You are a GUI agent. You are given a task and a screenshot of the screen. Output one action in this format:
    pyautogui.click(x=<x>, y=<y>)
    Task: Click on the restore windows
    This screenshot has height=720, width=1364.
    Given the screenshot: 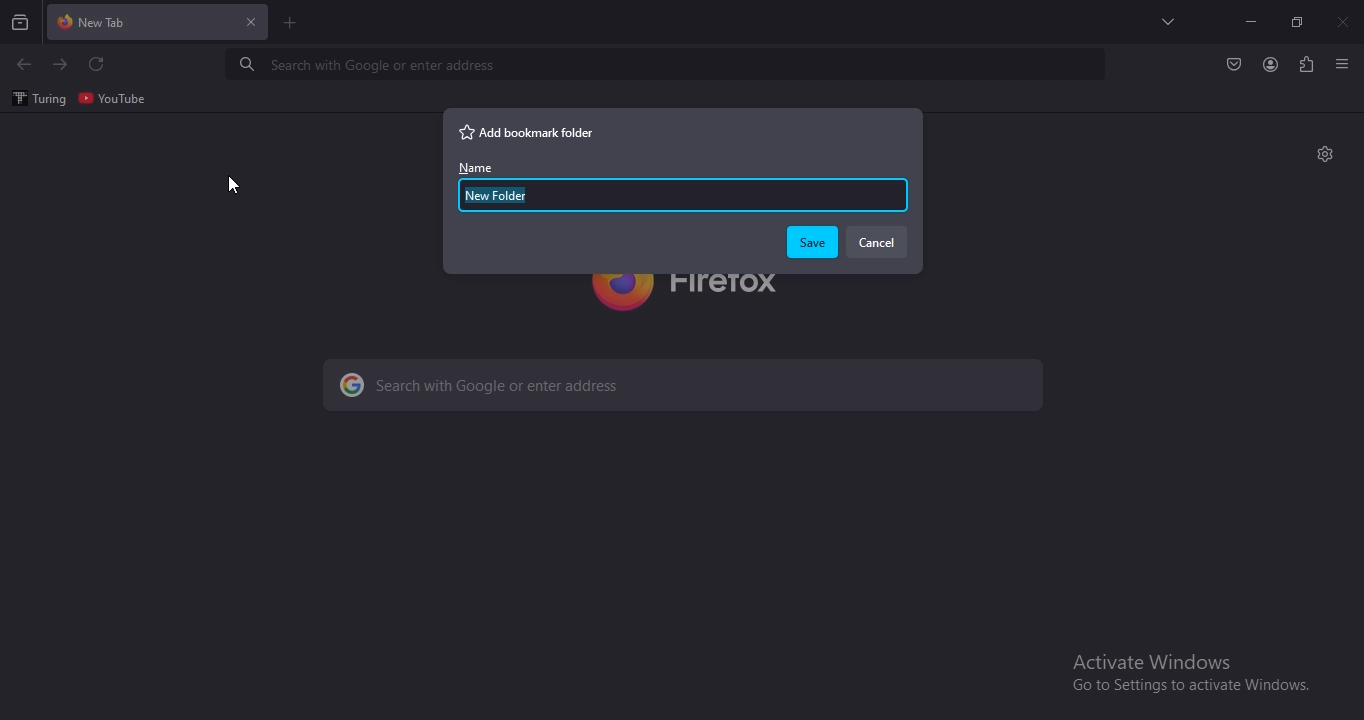 What is the action you would take?
    pyautogui.click(x=1299, y=22)
    